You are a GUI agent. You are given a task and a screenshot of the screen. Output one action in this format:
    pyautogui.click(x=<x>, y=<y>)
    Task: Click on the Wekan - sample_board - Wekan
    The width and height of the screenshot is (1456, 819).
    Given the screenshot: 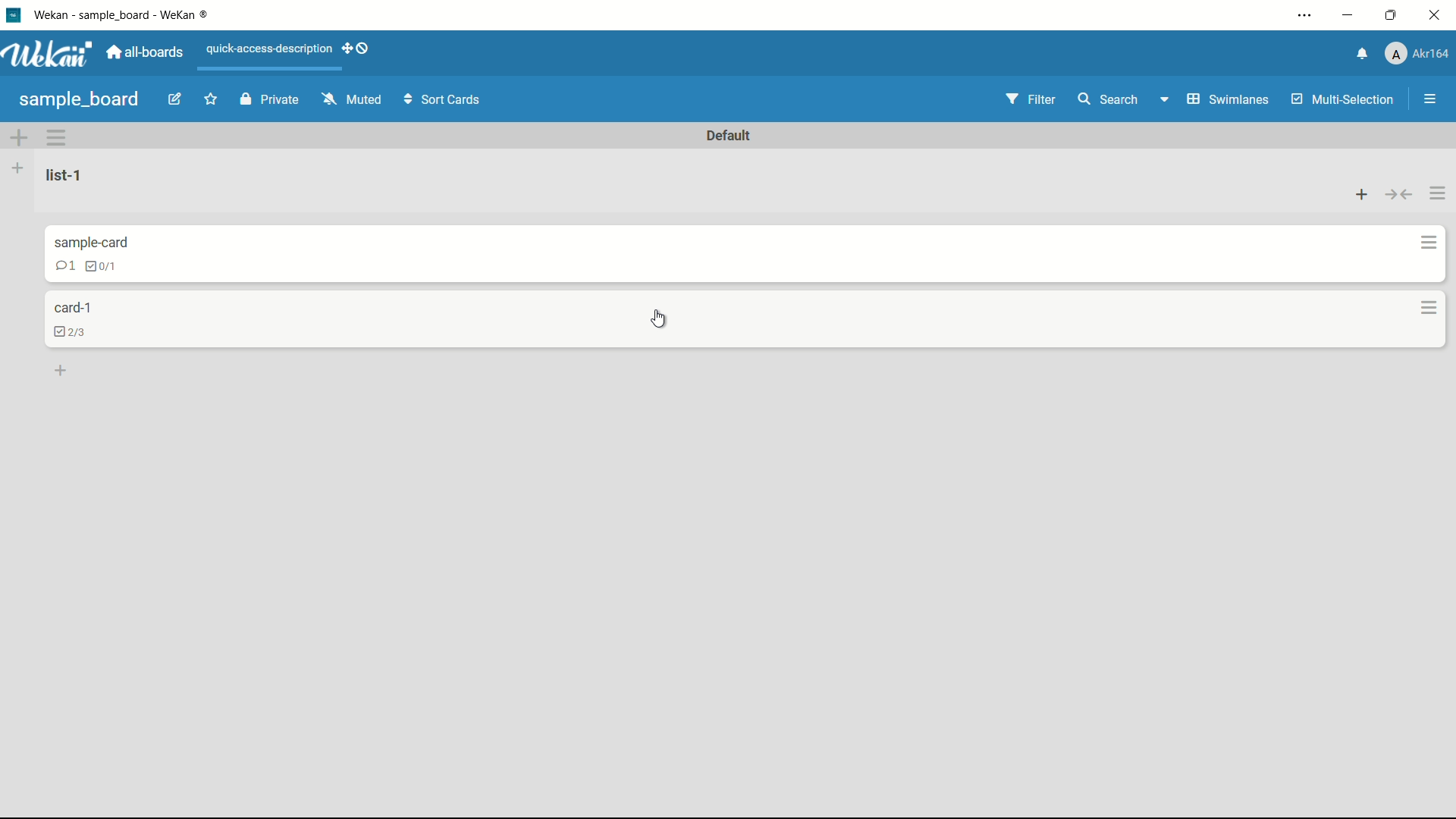 What is the action you would take?
    pyautogui.click(x=124, y=15)
    